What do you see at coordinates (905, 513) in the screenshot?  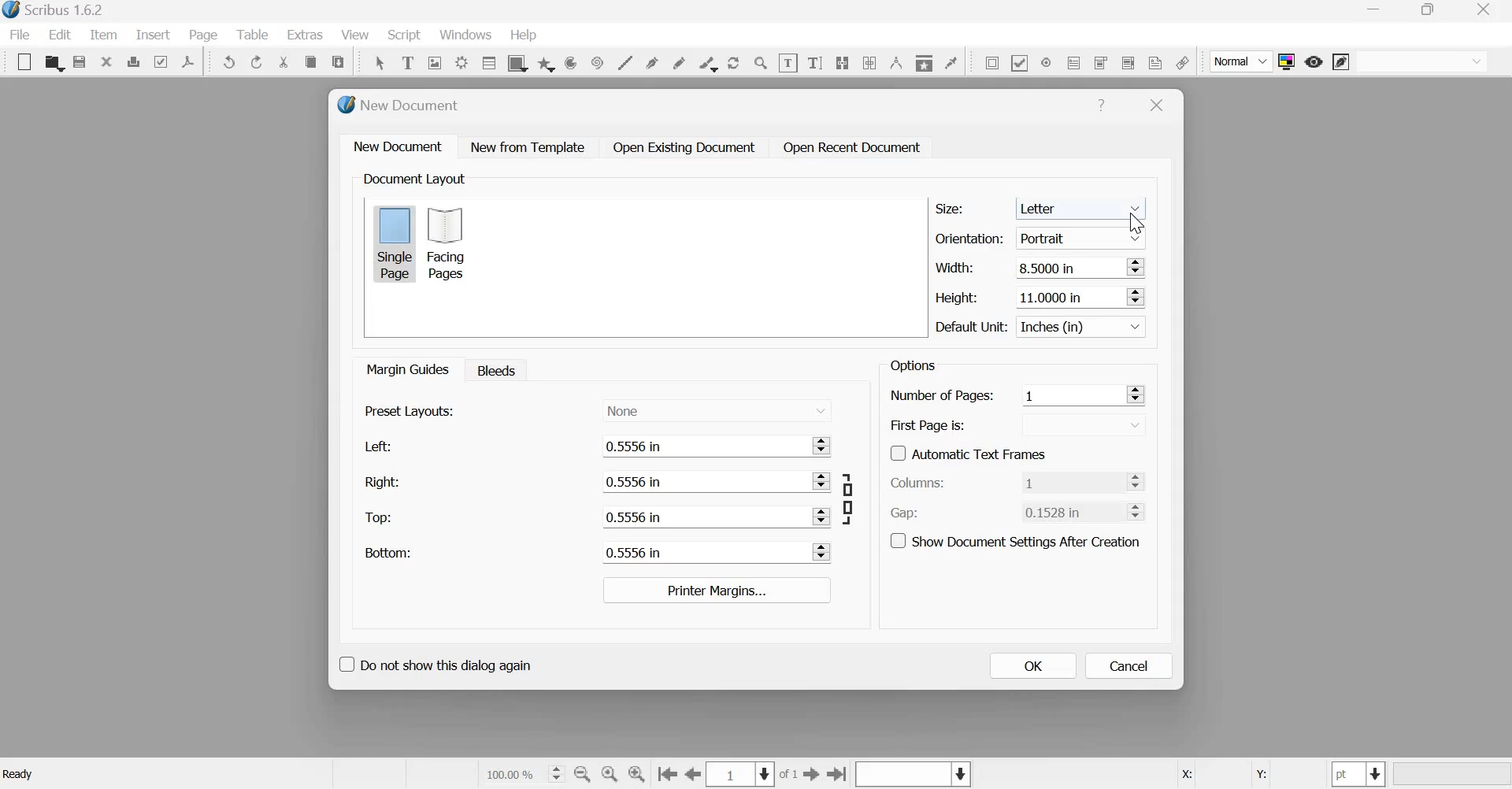 I see `Gap:` at bounding box center [905, 513].